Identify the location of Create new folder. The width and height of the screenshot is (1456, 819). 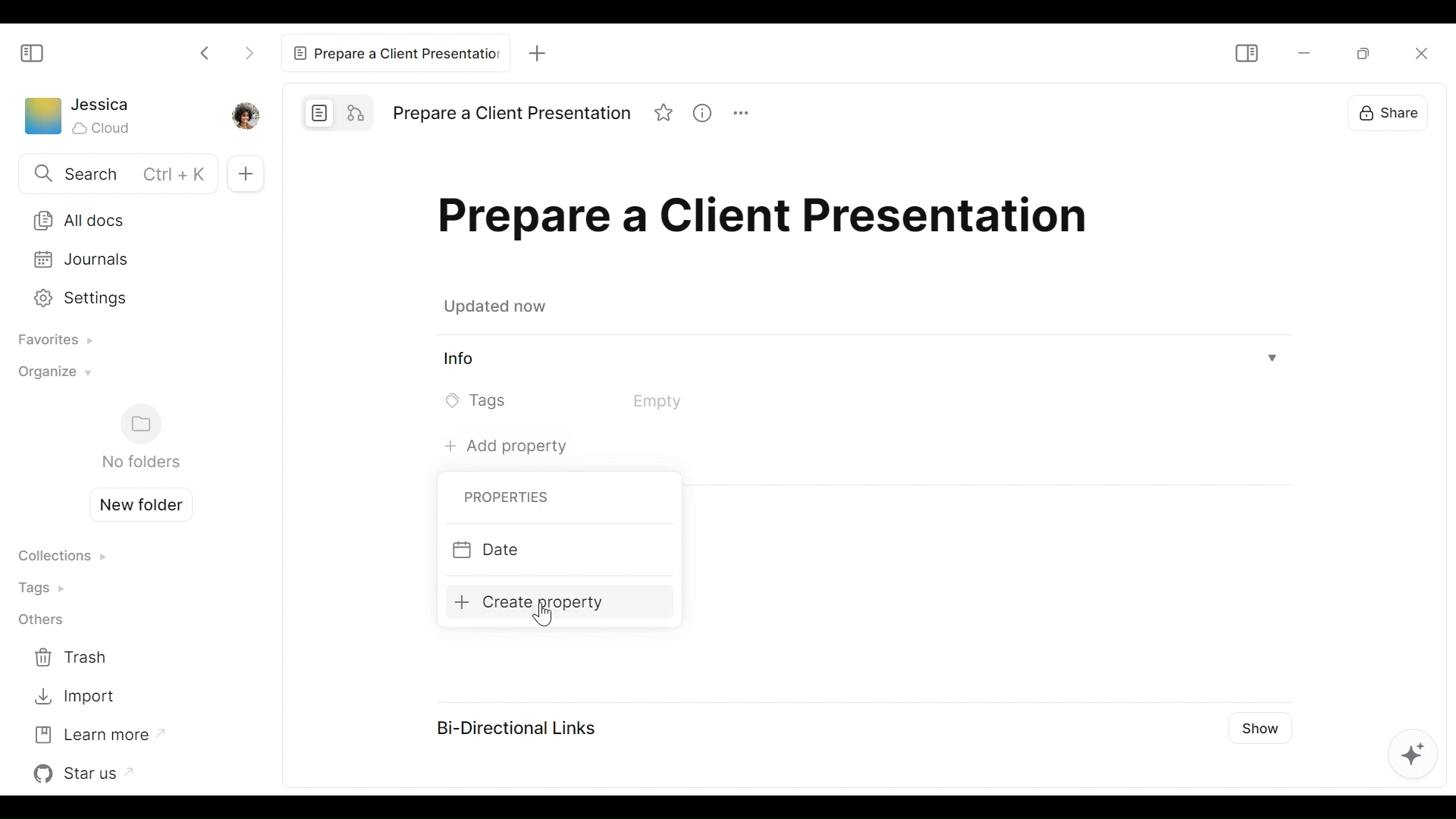
(135, 503).